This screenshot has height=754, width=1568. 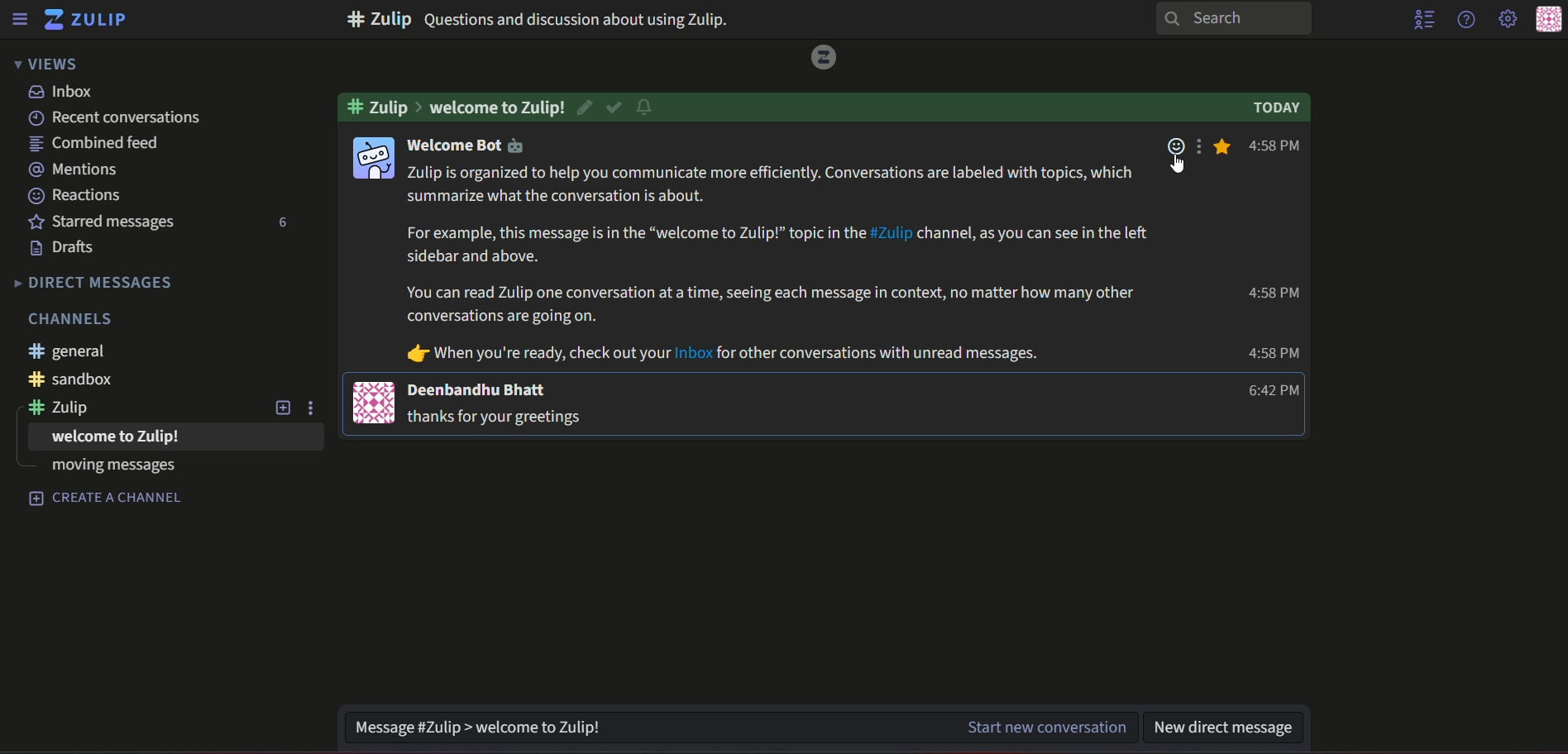 I want to click on Logo, so click(x=825, y=59).